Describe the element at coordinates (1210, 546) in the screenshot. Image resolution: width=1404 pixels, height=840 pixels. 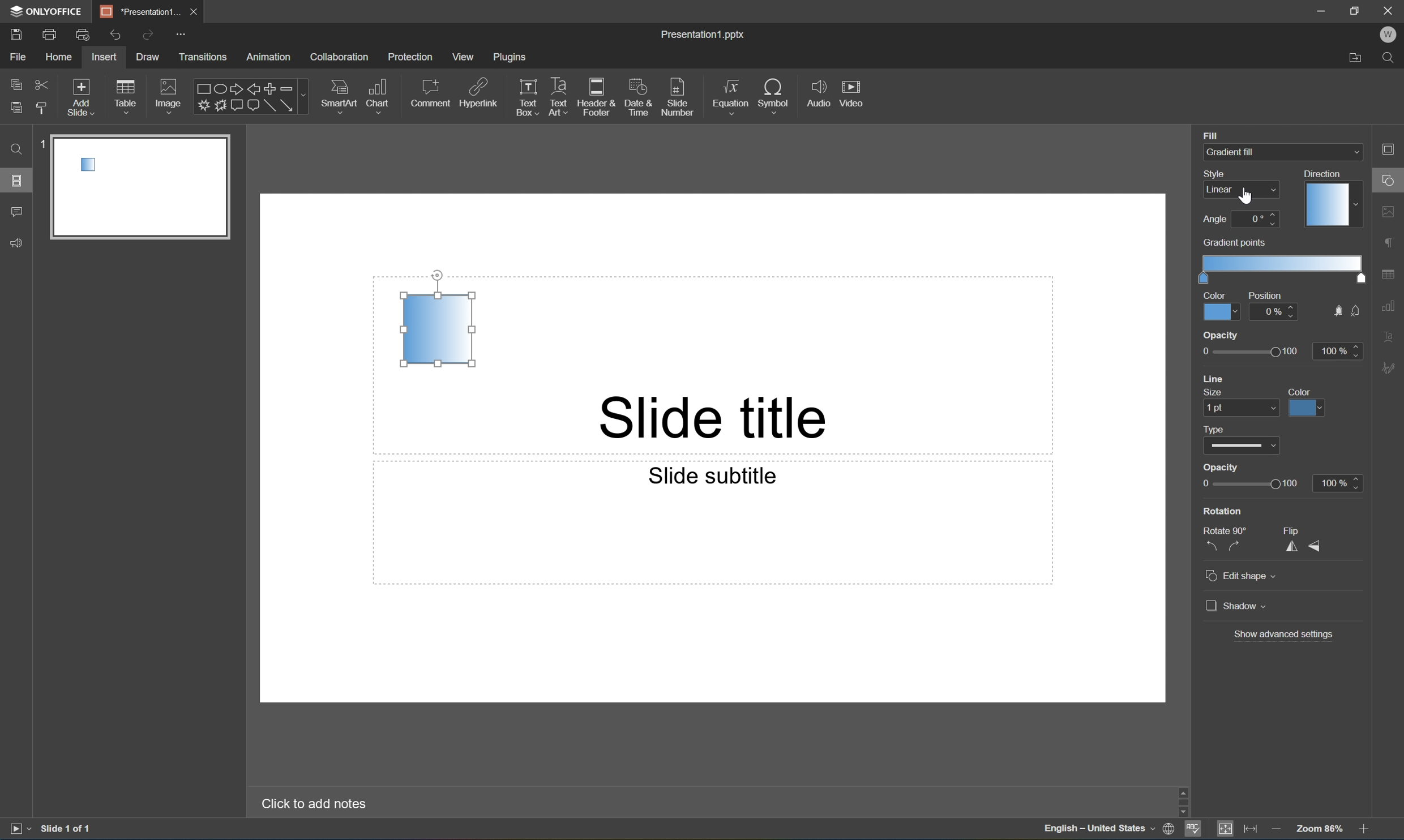
I see `Rotate 90° counterclockwise` at that location.